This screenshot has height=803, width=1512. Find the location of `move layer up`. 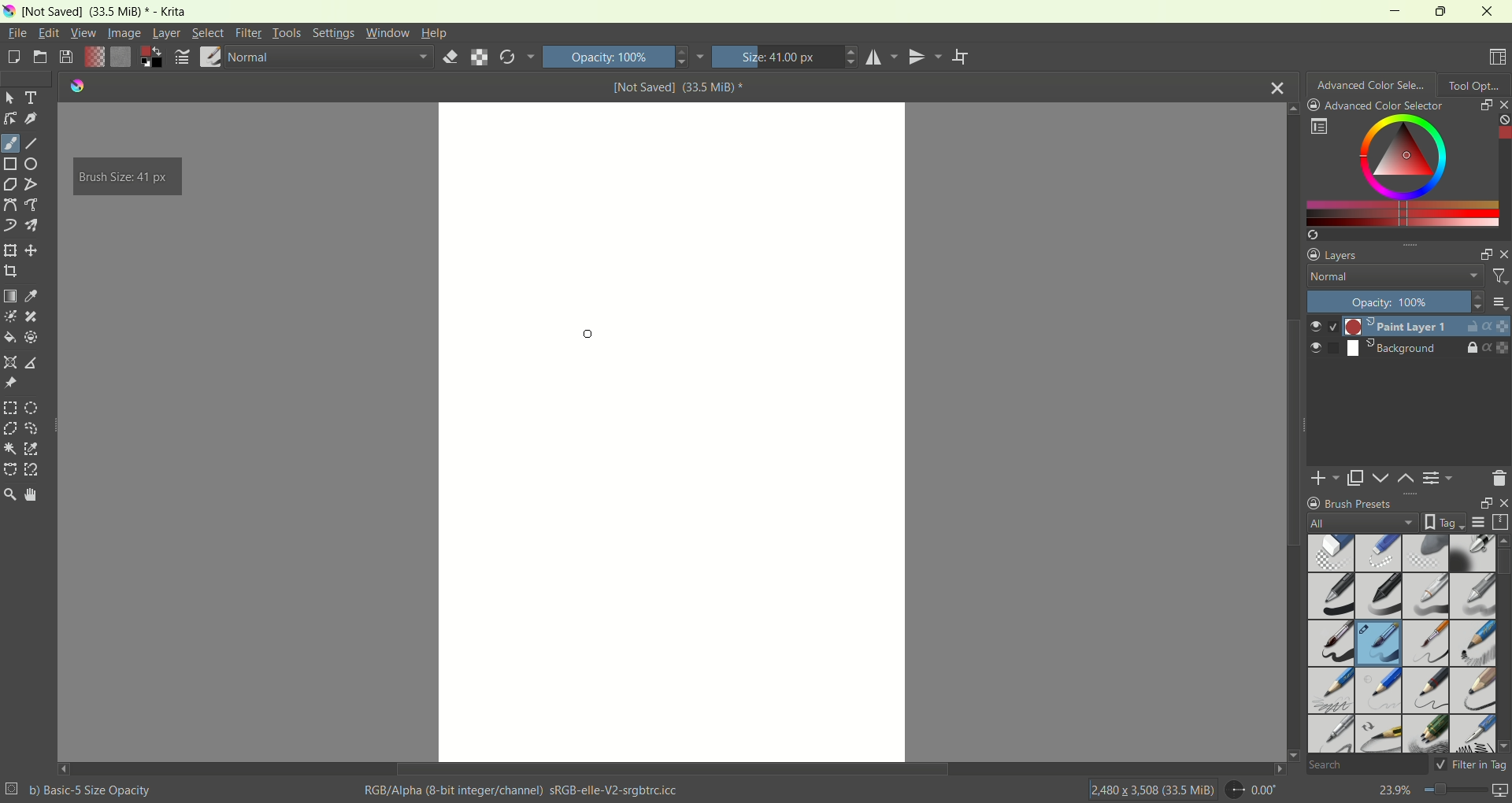

move layer up is located at coordinates (1407, 479).